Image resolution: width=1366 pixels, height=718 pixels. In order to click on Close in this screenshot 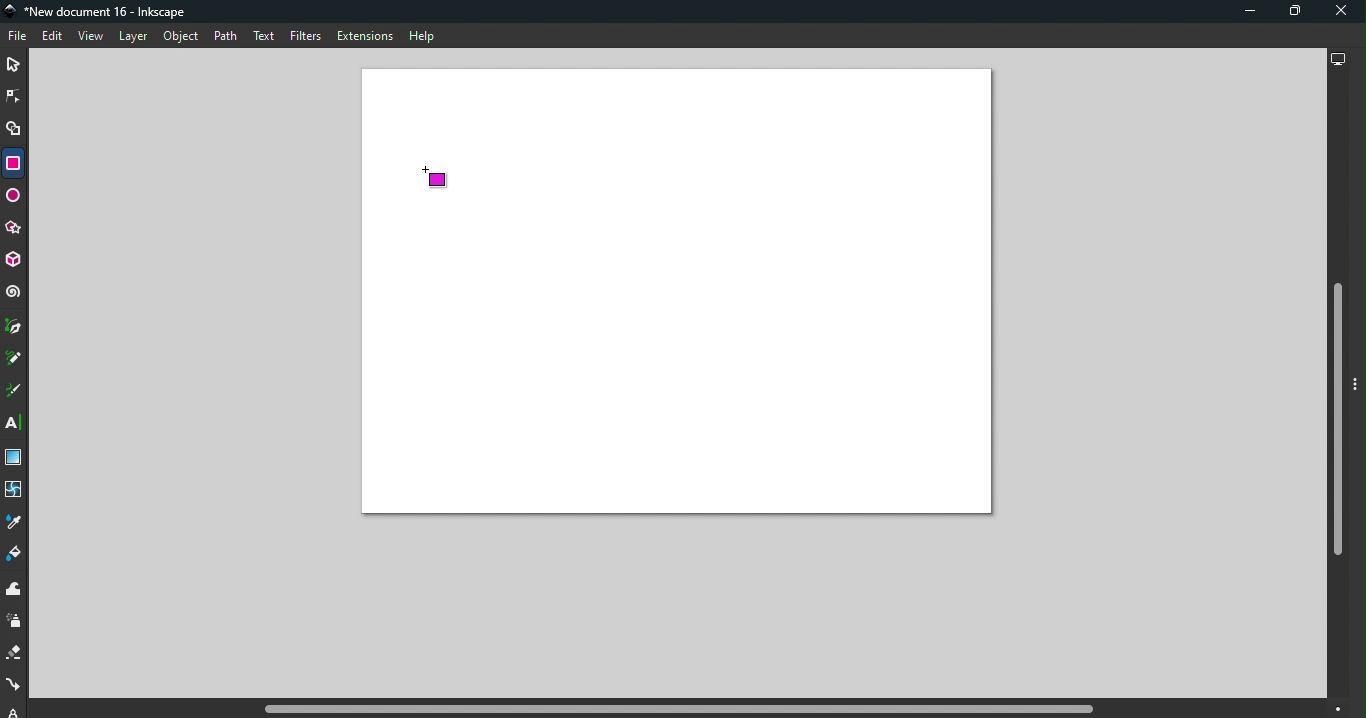, I will do `click(1341, 12)`.